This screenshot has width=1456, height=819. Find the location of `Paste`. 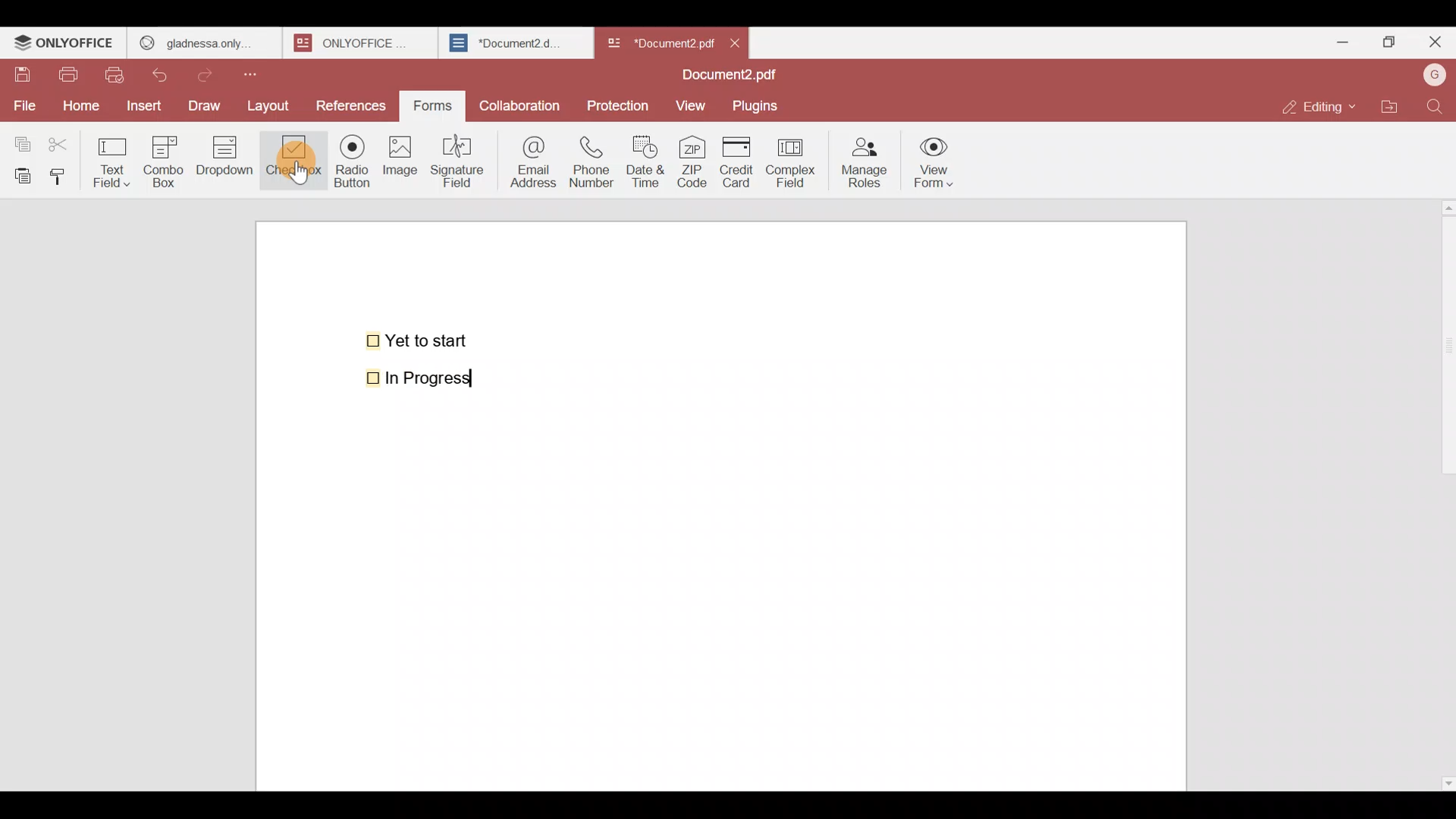

Paste is located at coordinates (20, 174).